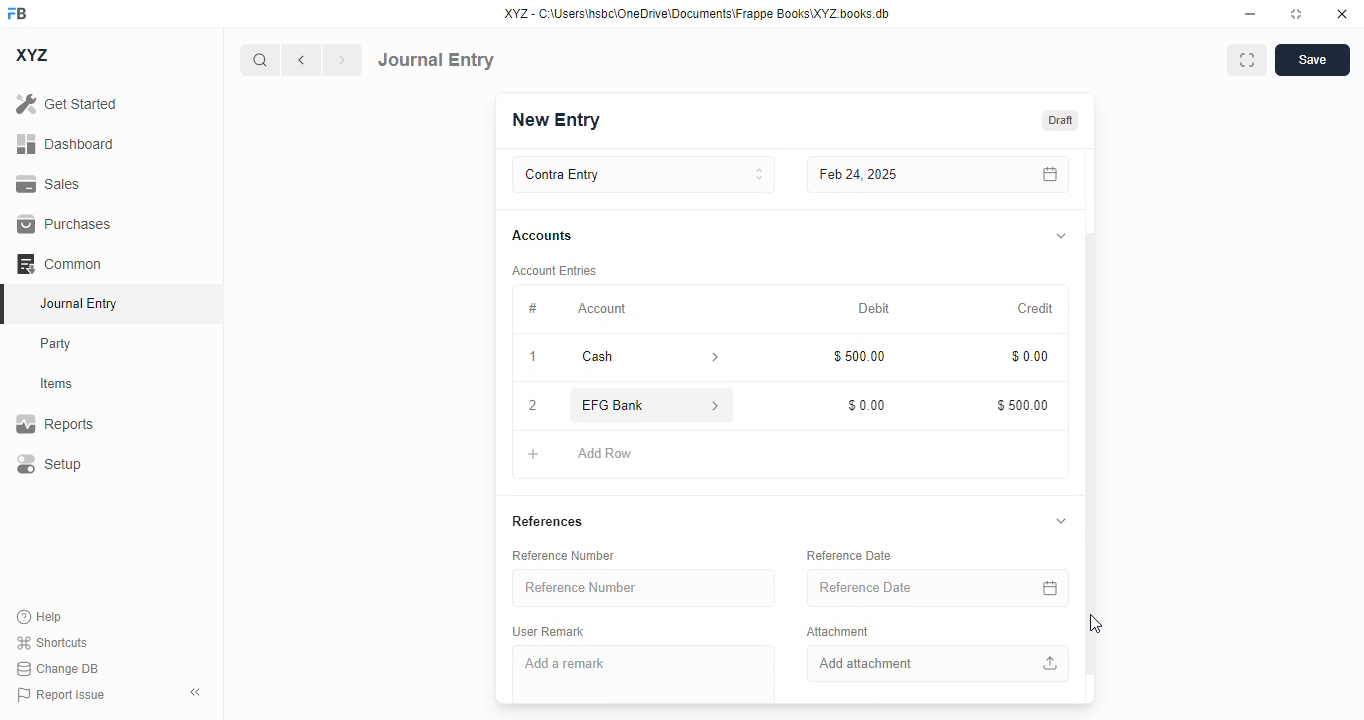 The width and height of the screenshot is (1364, 720). I want to click on attachment, so click(838, 633).